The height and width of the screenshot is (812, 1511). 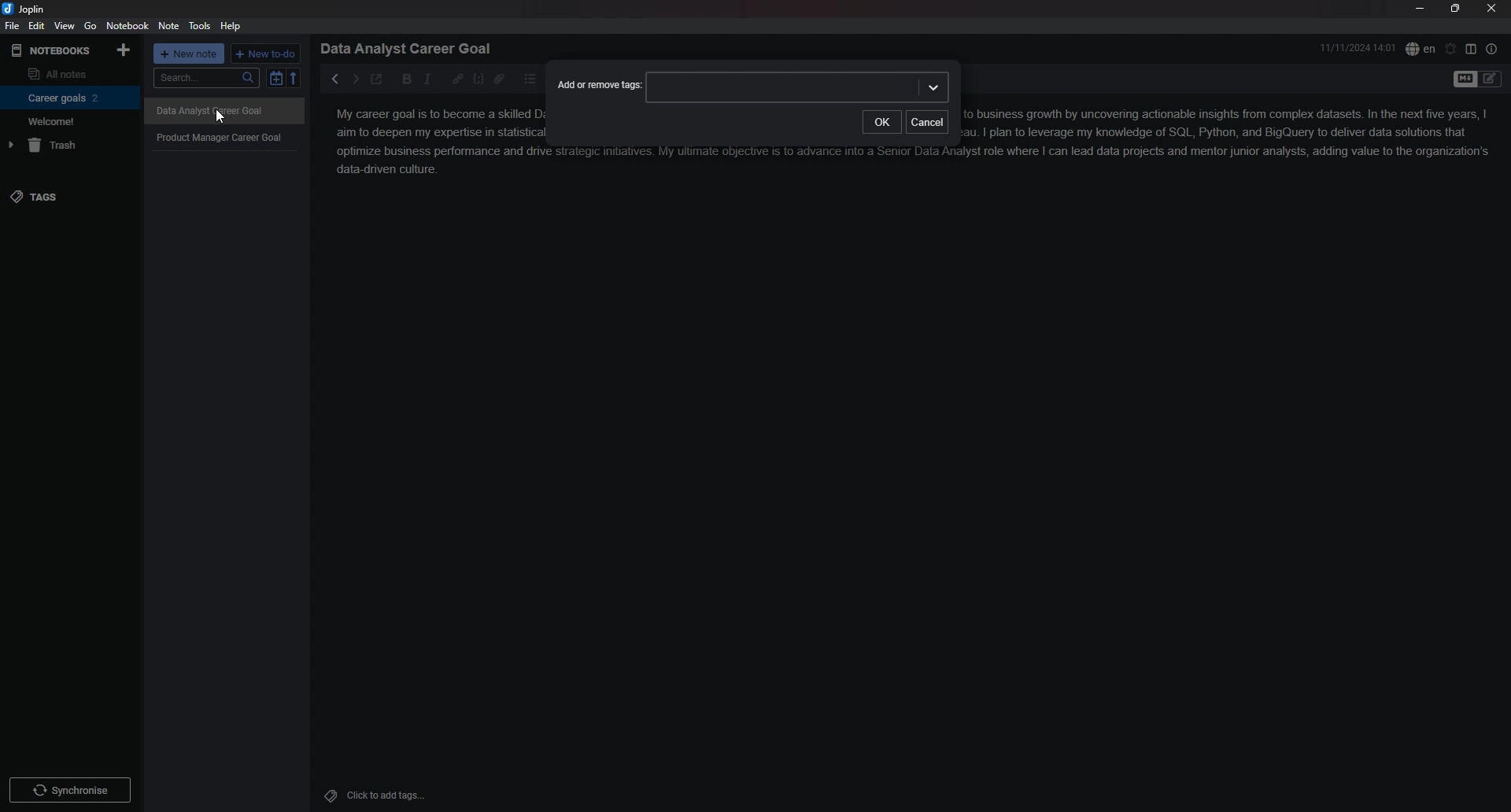 I want to click on tools, so click(x=200, y=26).